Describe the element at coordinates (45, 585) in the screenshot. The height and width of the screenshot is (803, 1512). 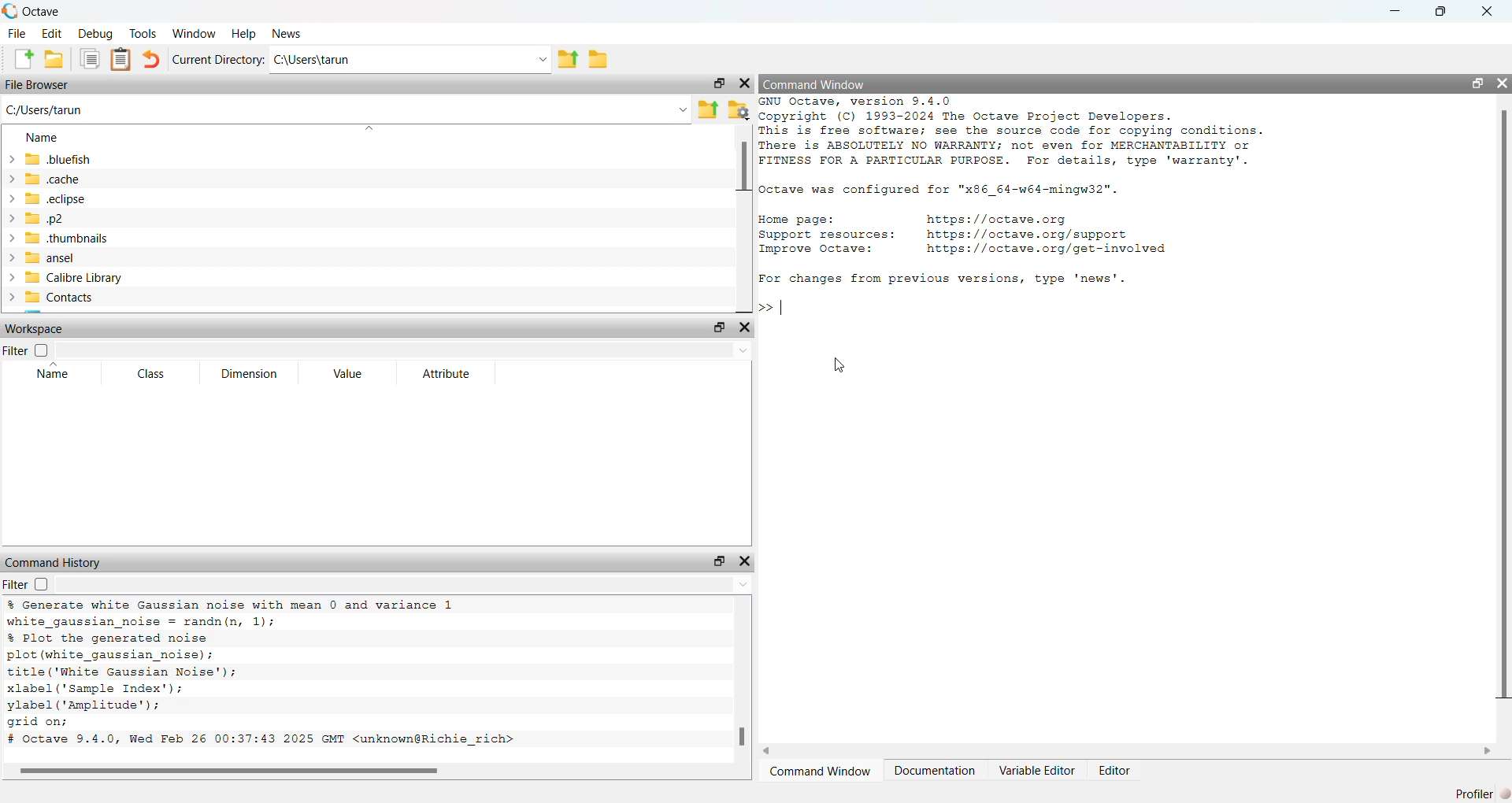
I see `checkbox` at that location.